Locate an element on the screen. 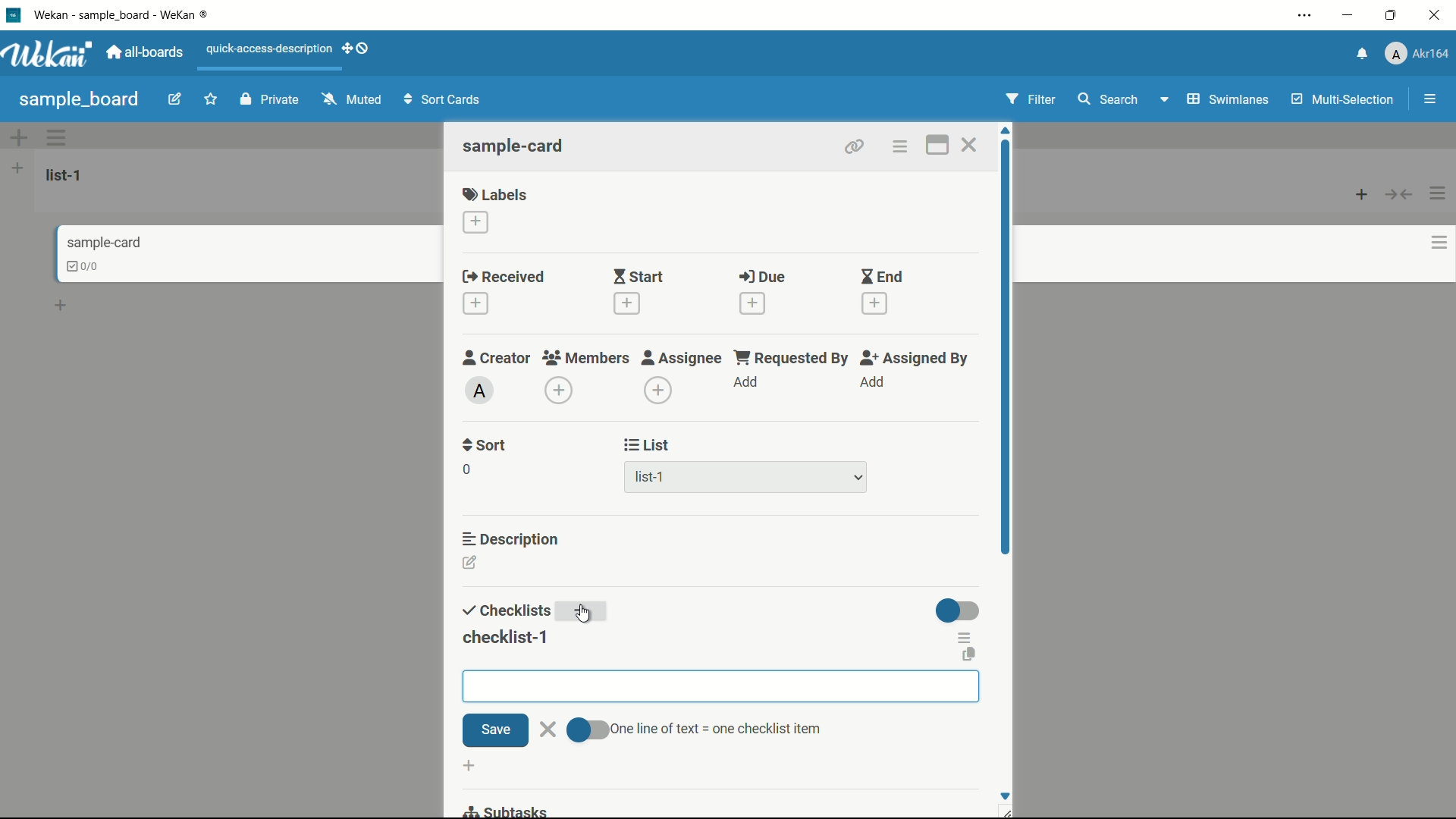 The image size is (1456, 819). scroll bar is located at coordinates (1007, 378).